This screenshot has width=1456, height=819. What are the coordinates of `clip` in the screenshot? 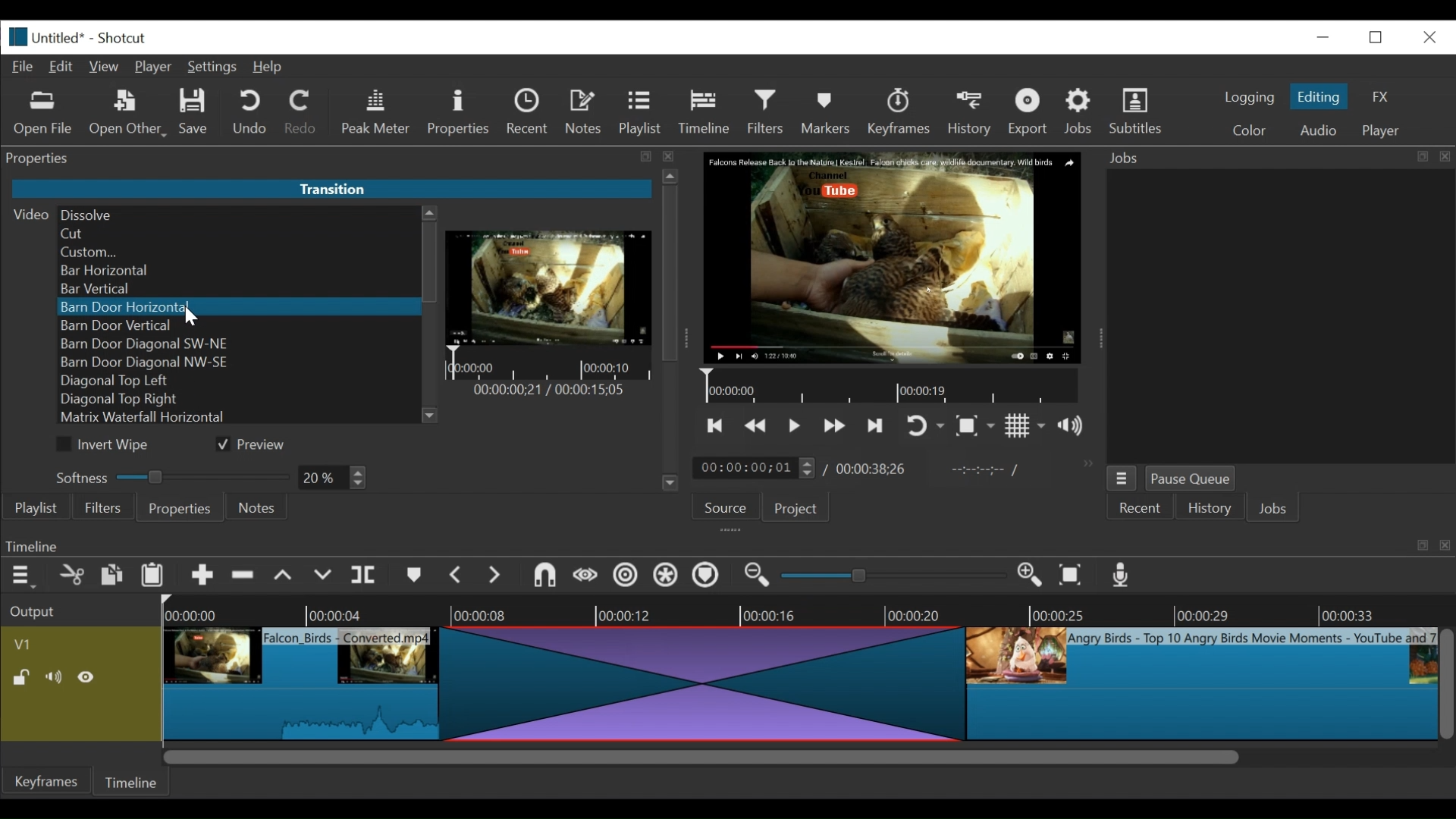 It's located at (305, 679).